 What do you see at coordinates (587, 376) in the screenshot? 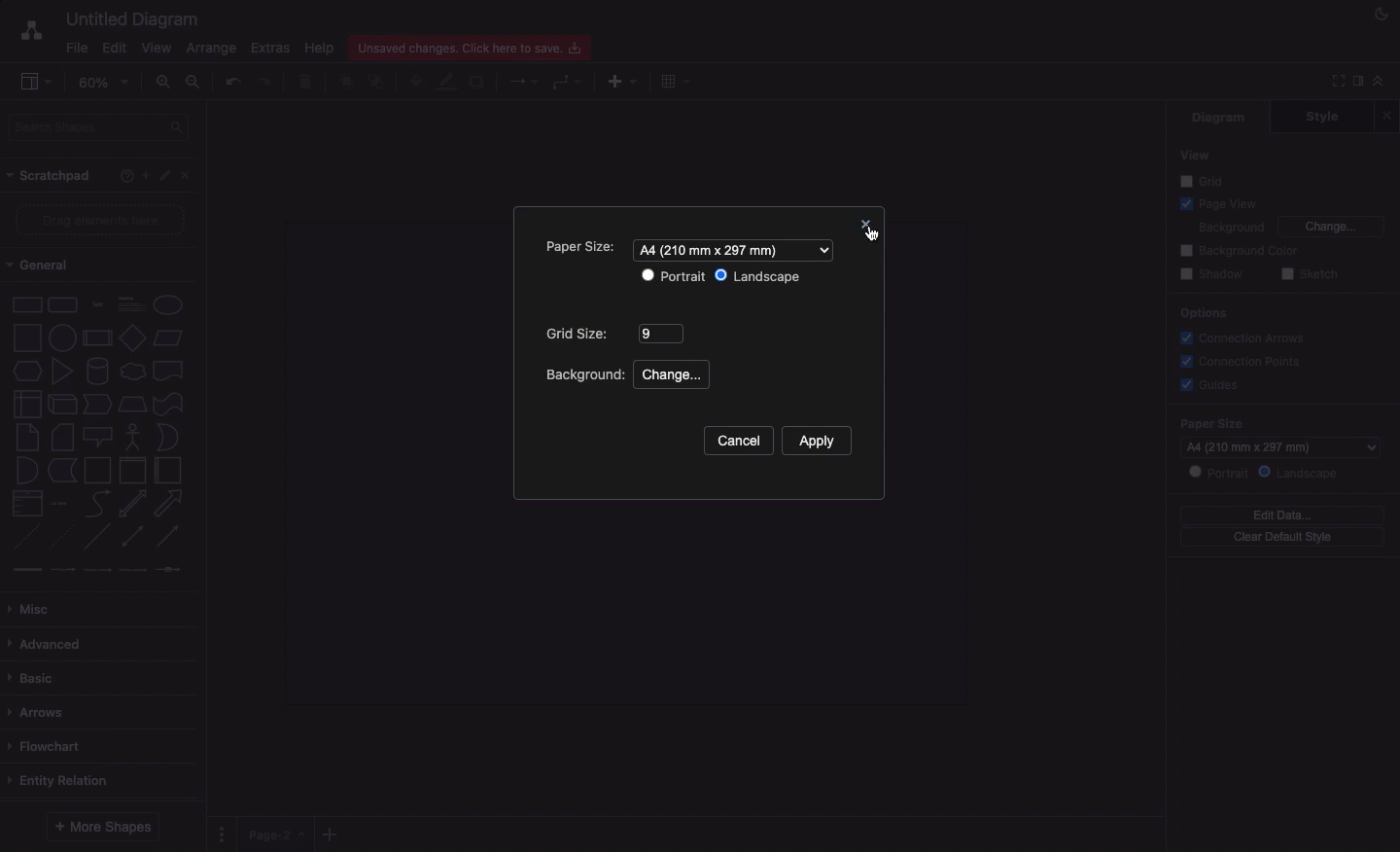
I see `Background ` at bounding box center [587, 376].